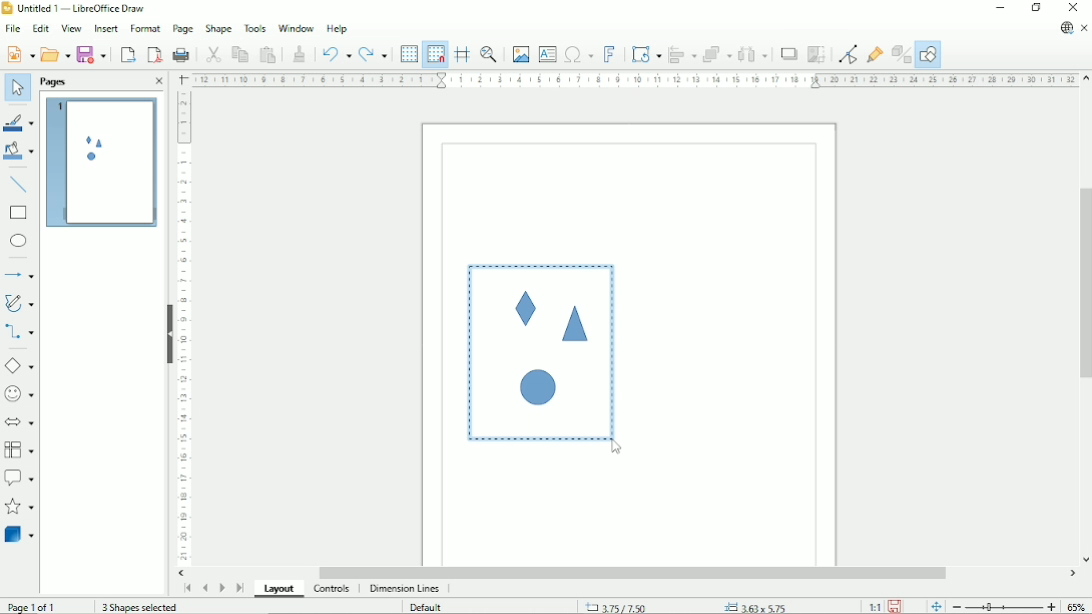 The height and width of the screenshot is (614, 1092). Describe the element at coordinates (40, 27) in the screenshot. I see `Edit` at that location.